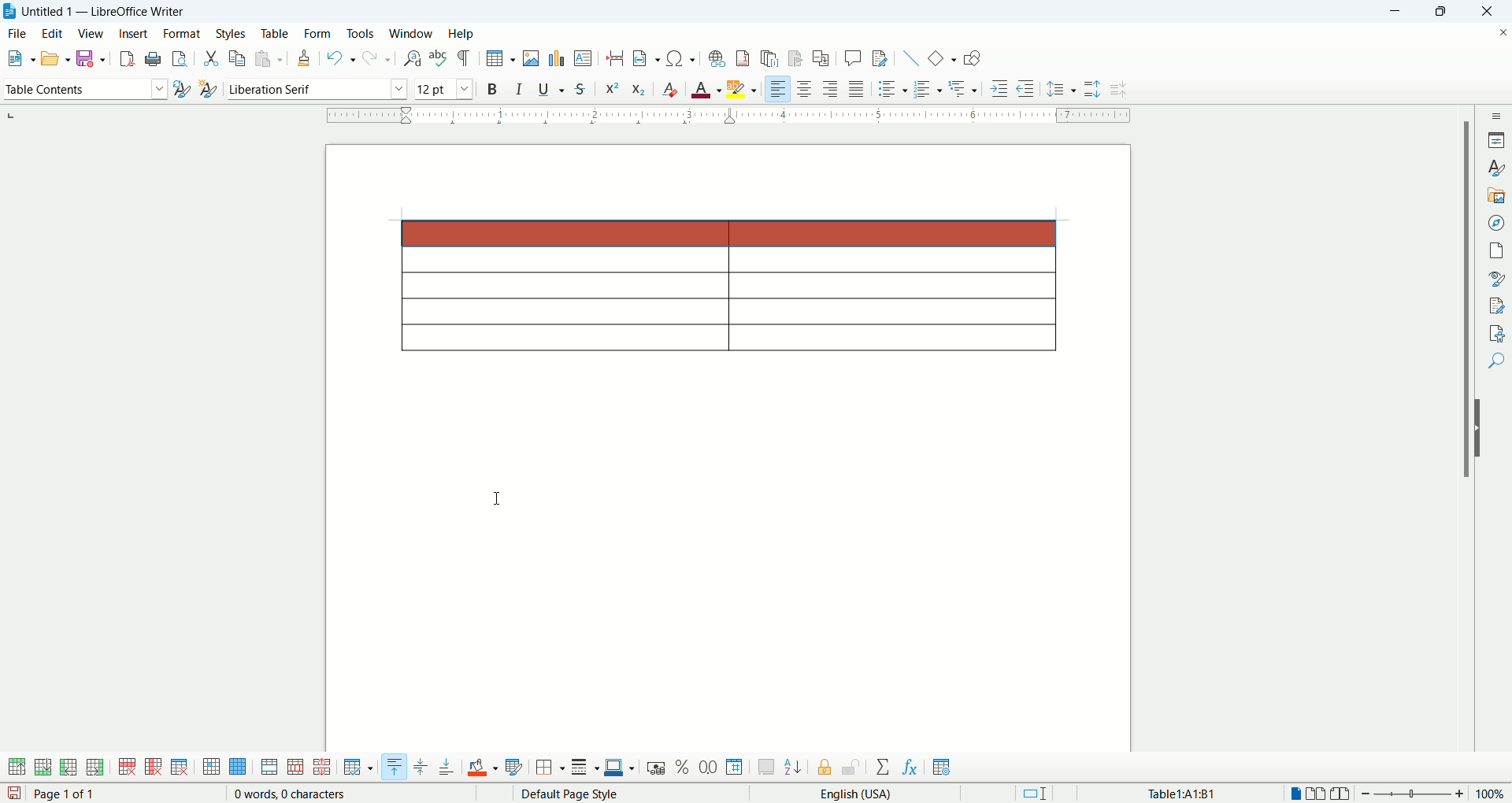 Image resolution: width=1512 pixels, height=803 pixels. Describe the element at coordinates (1503, 33) in the screenshot. I see `close document` at that location.